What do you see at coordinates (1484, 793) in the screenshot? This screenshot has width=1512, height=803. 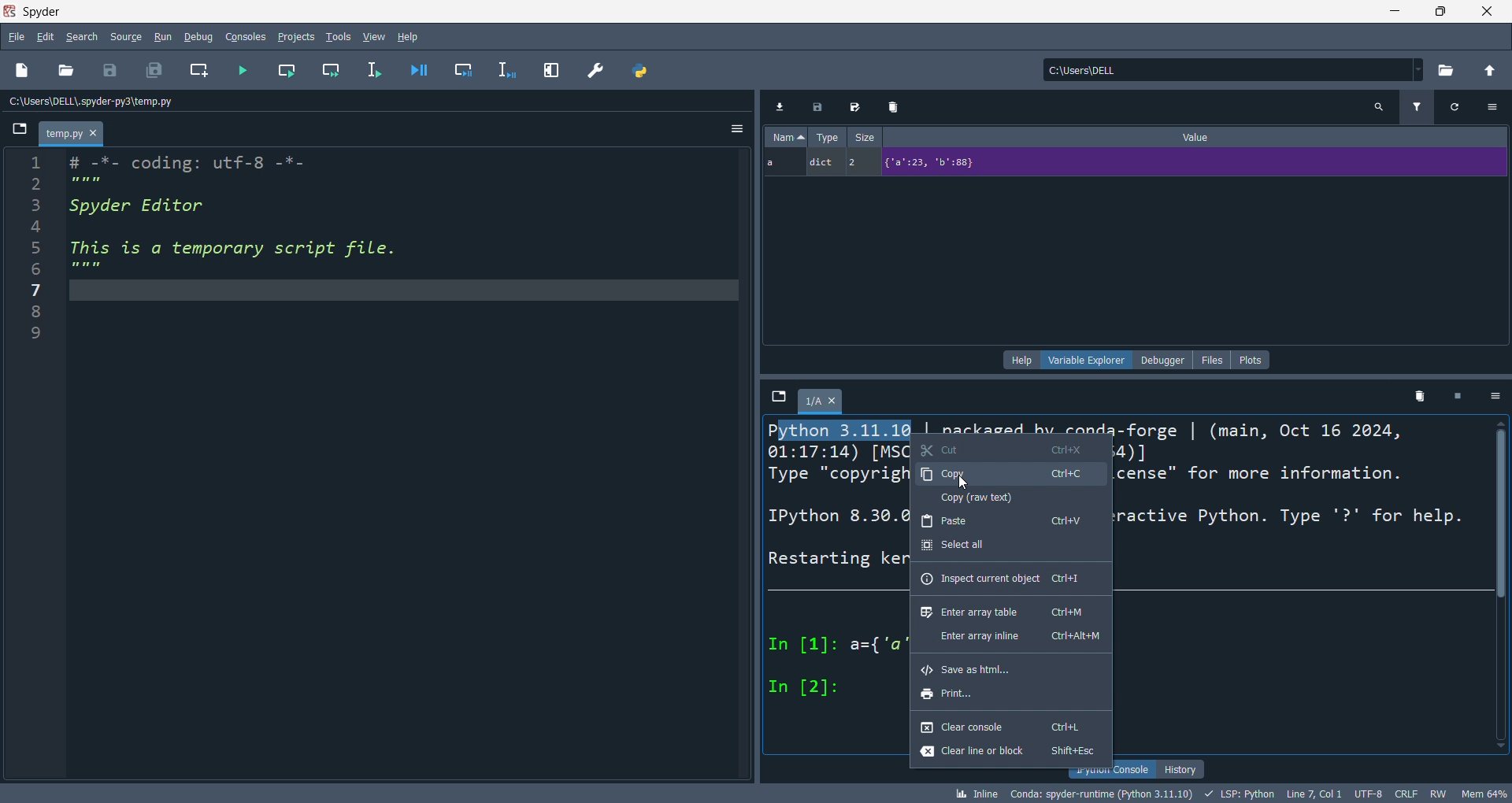 I see `mem 64%` at bounding box center [1484, 793].